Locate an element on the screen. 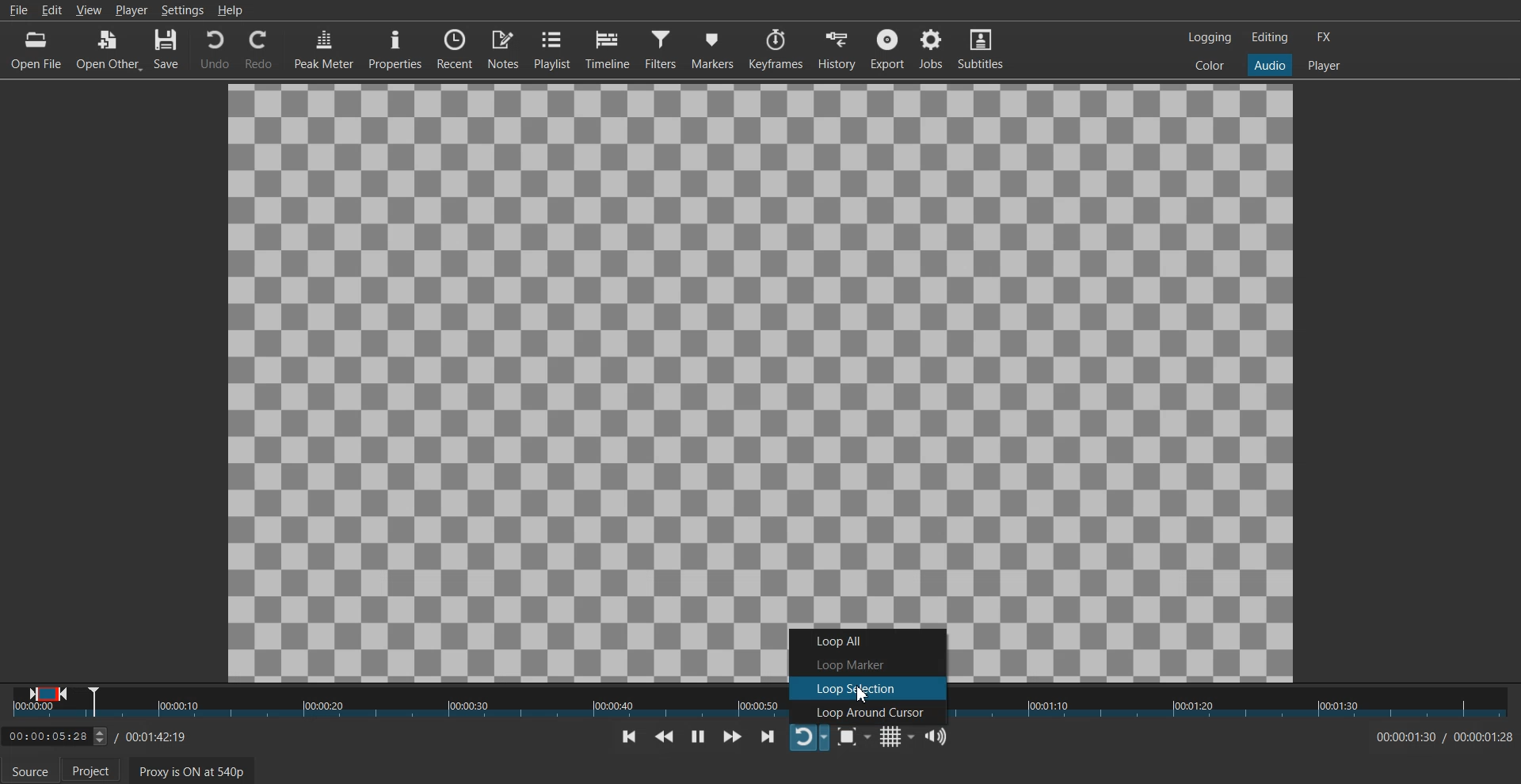 The width and height of the screenshot is (1521, 784). Help is located at coordinates (230, 10).